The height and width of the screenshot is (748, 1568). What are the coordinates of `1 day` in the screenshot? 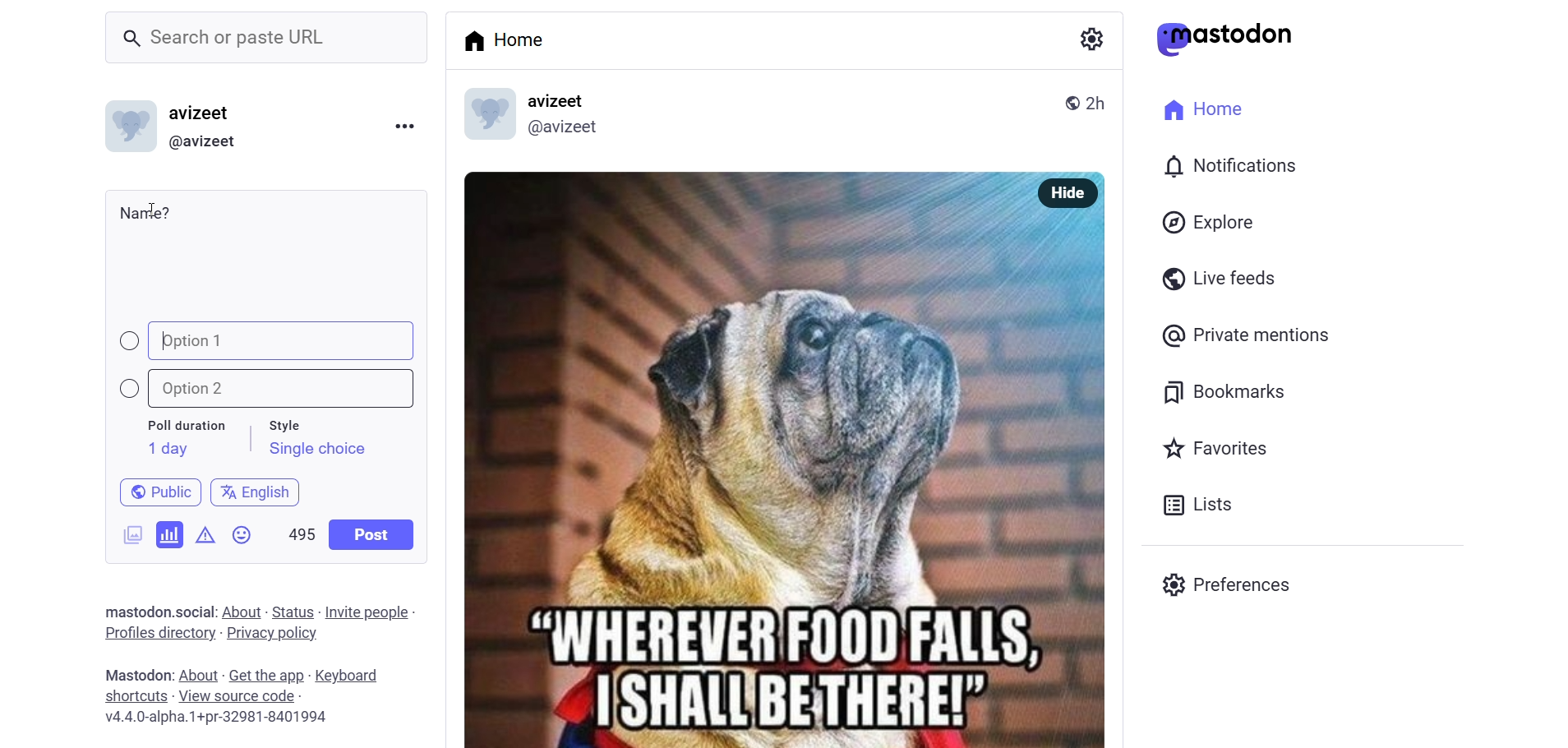 It's located at (165, 449).